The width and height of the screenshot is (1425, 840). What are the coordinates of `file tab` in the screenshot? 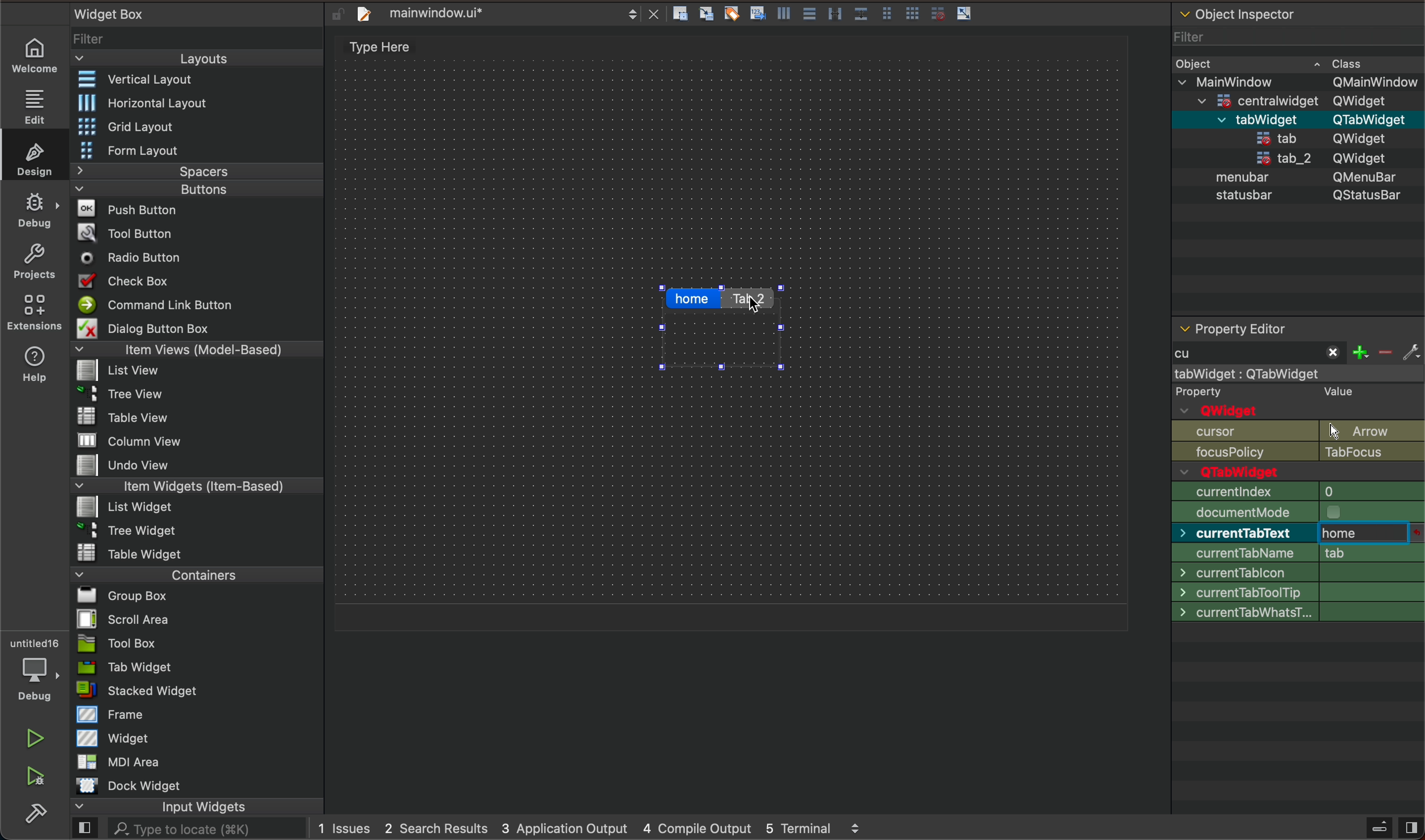 It's located at (502, 14).